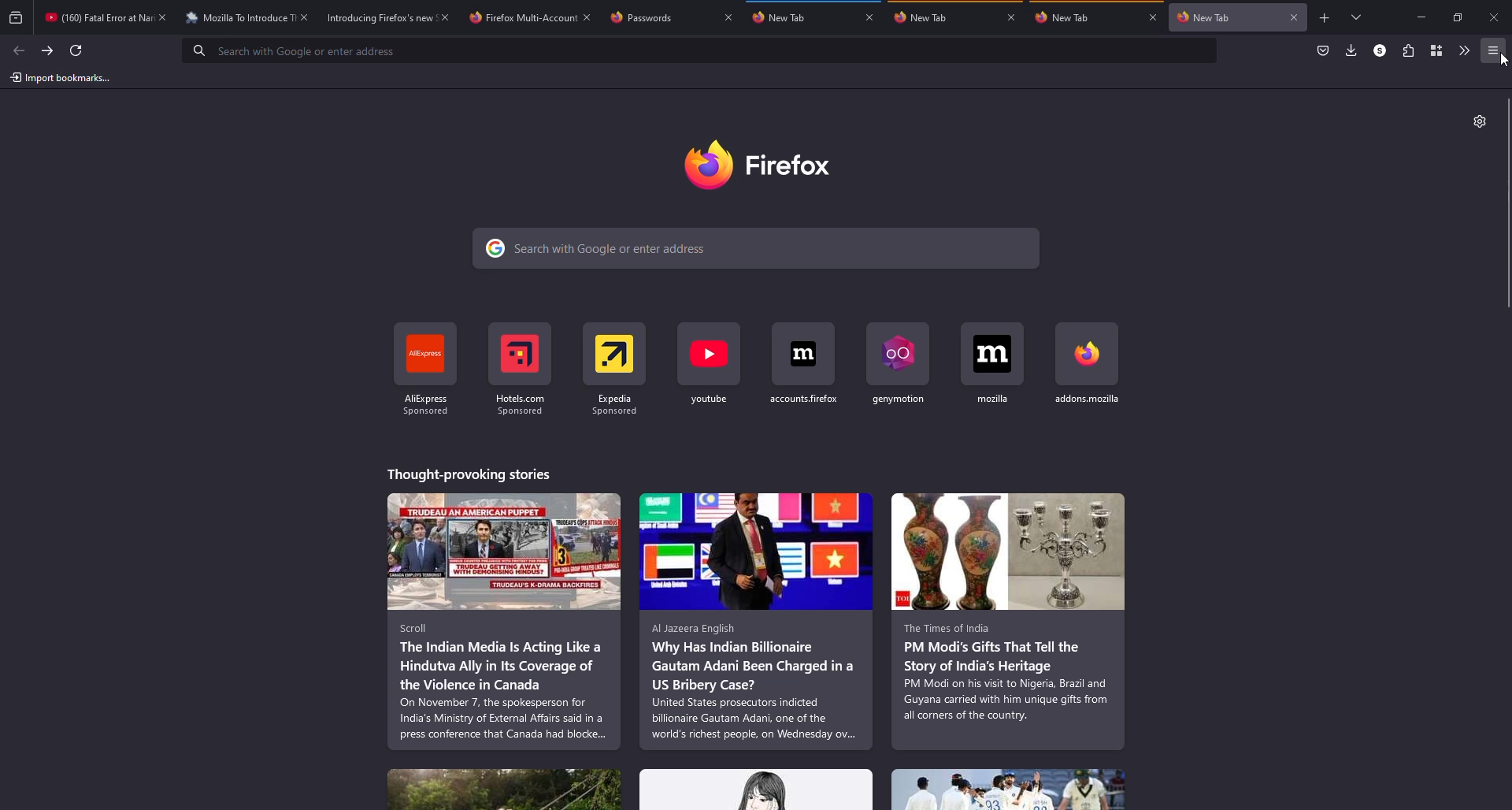 The image size is (1512, 810). Describe the element at coordinates (615, 370) in the screenshot. I see `shortcut` at that location.